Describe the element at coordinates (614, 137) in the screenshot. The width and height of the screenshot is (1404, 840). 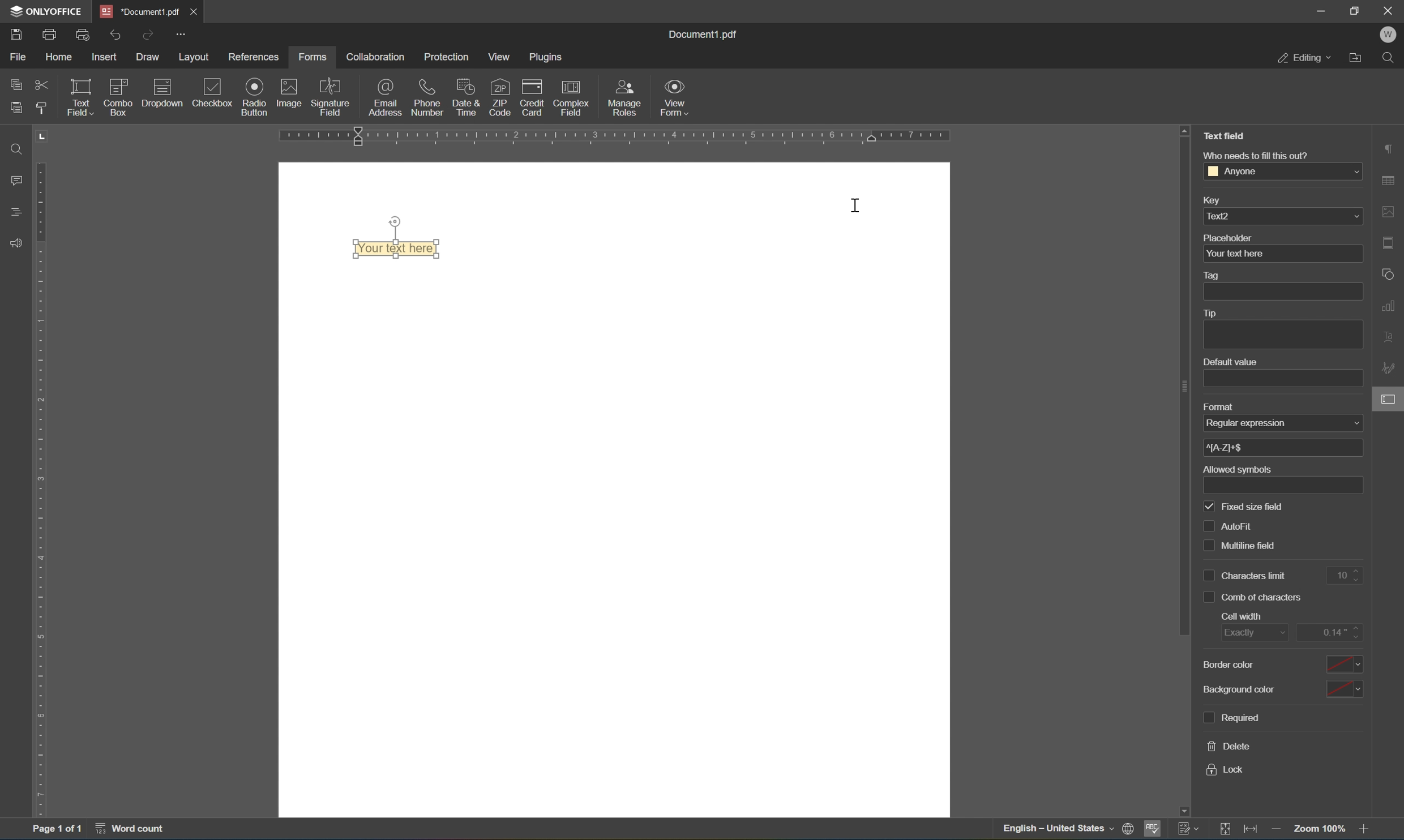
I see `ruler` at that location.